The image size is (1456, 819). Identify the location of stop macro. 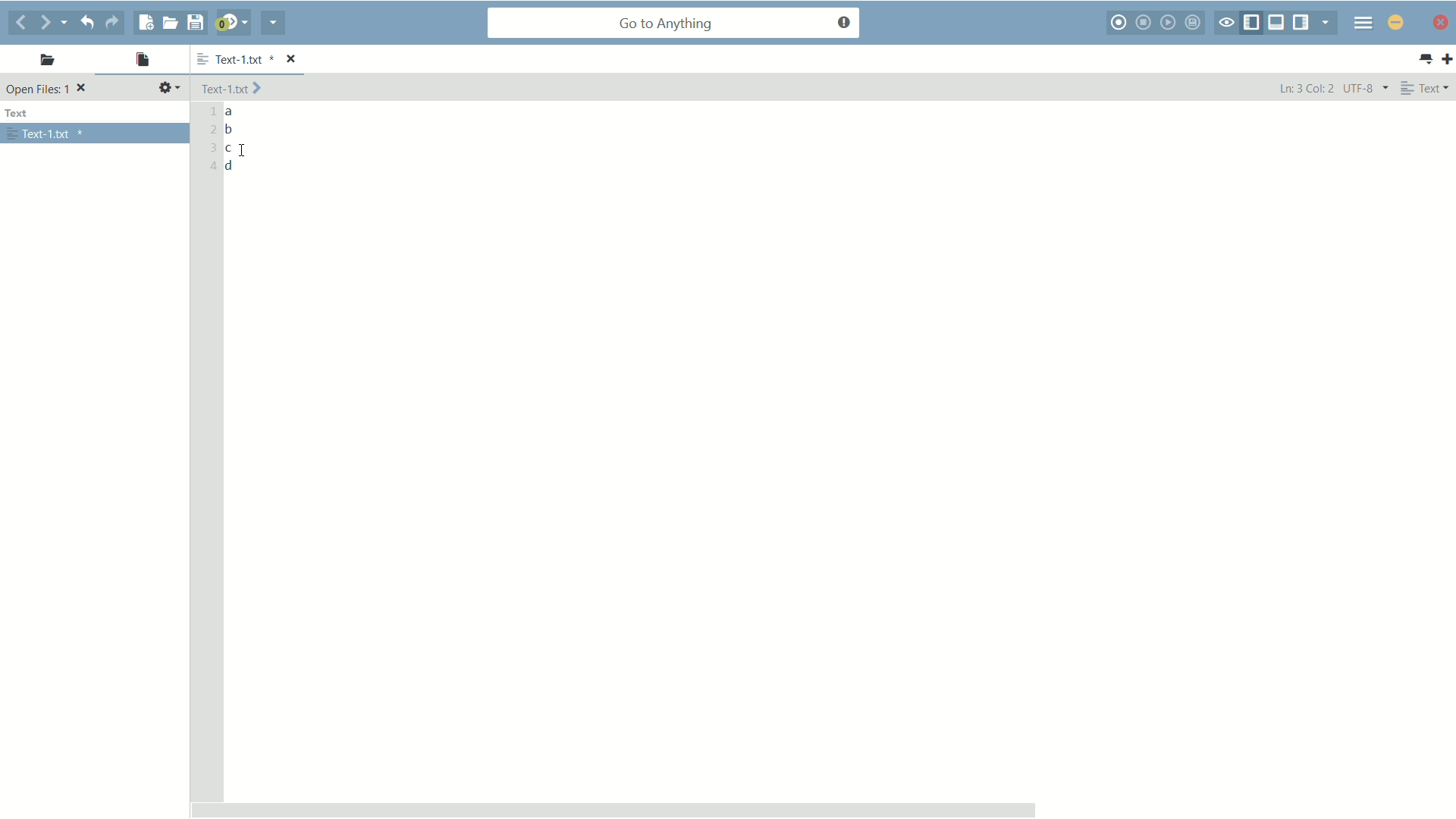
(1146, 22).